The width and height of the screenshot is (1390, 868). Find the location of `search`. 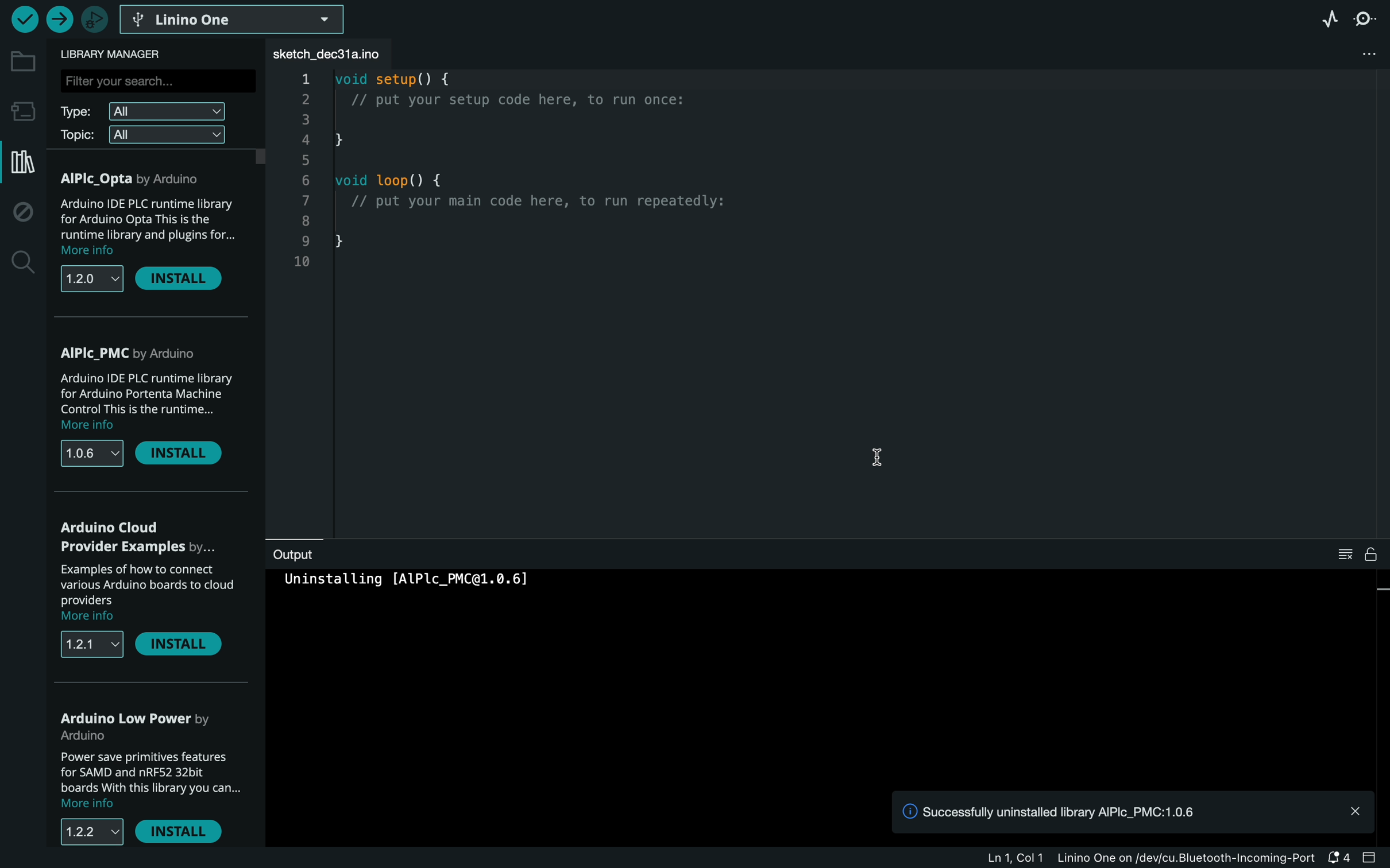

search is located at coordinates (20, 262).